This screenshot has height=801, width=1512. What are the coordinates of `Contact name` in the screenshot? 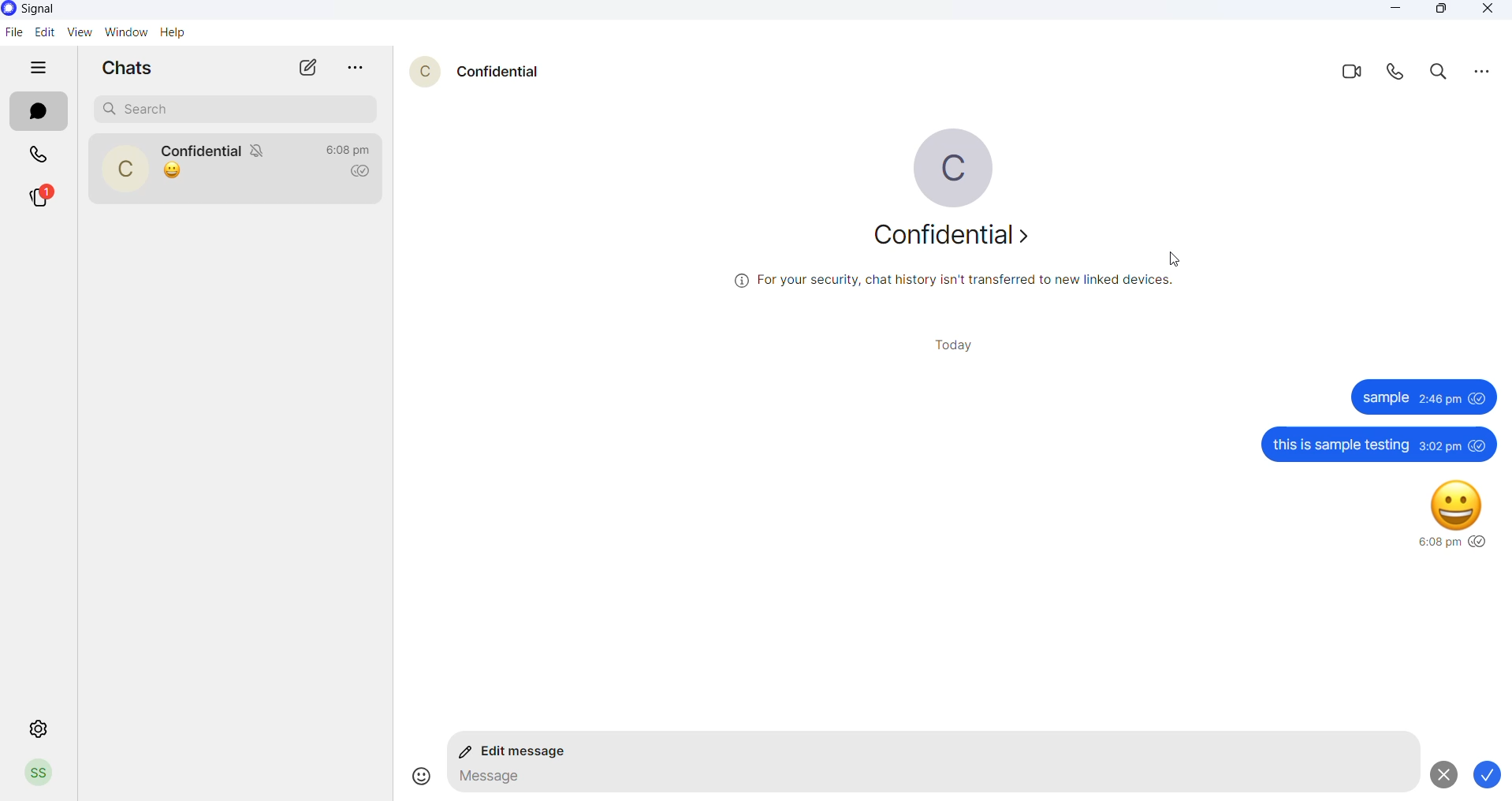 It's located at (202, 146).